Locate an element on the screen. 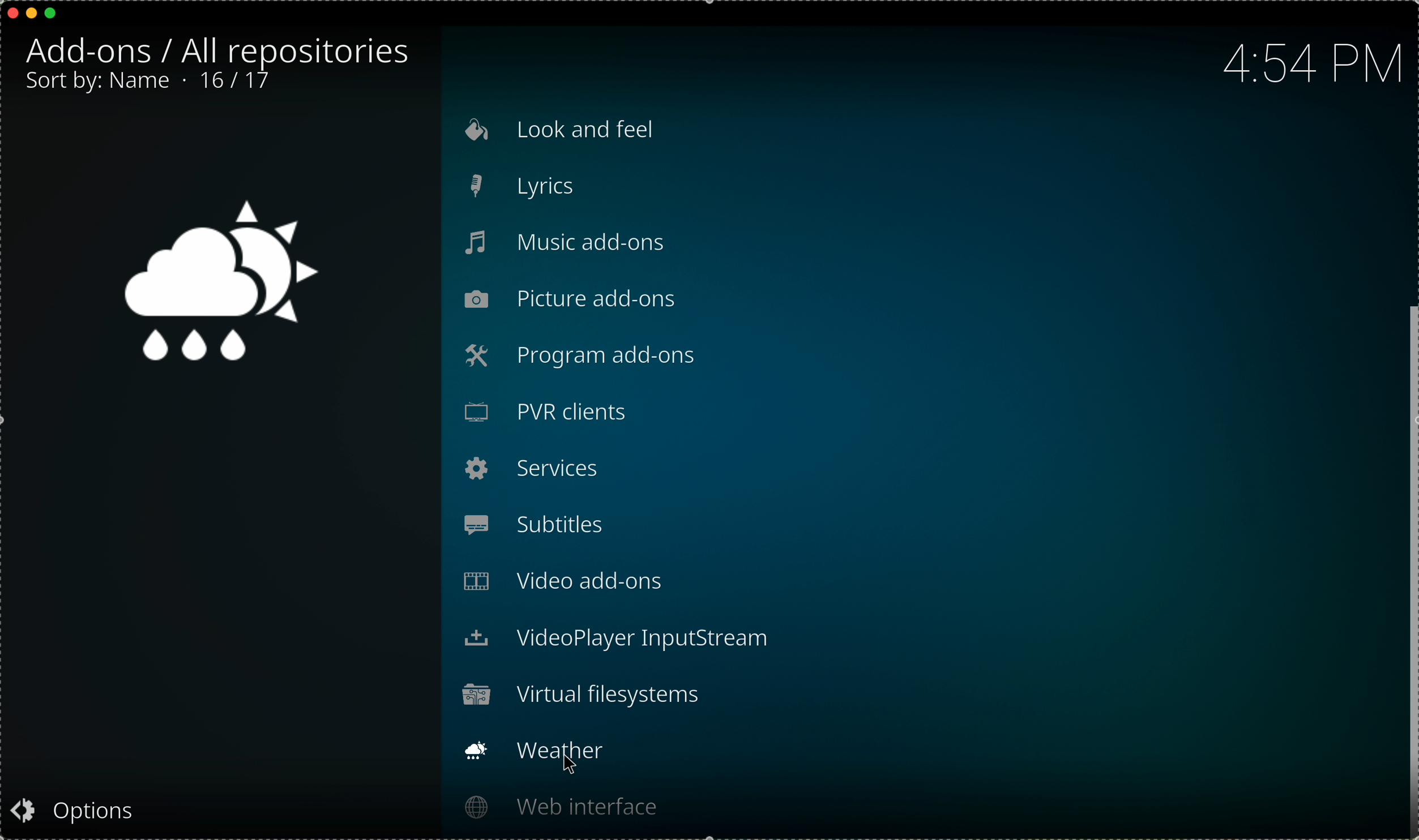 This screenshot has width=1419, height=840. hour is located at coordinates (1310, 61).